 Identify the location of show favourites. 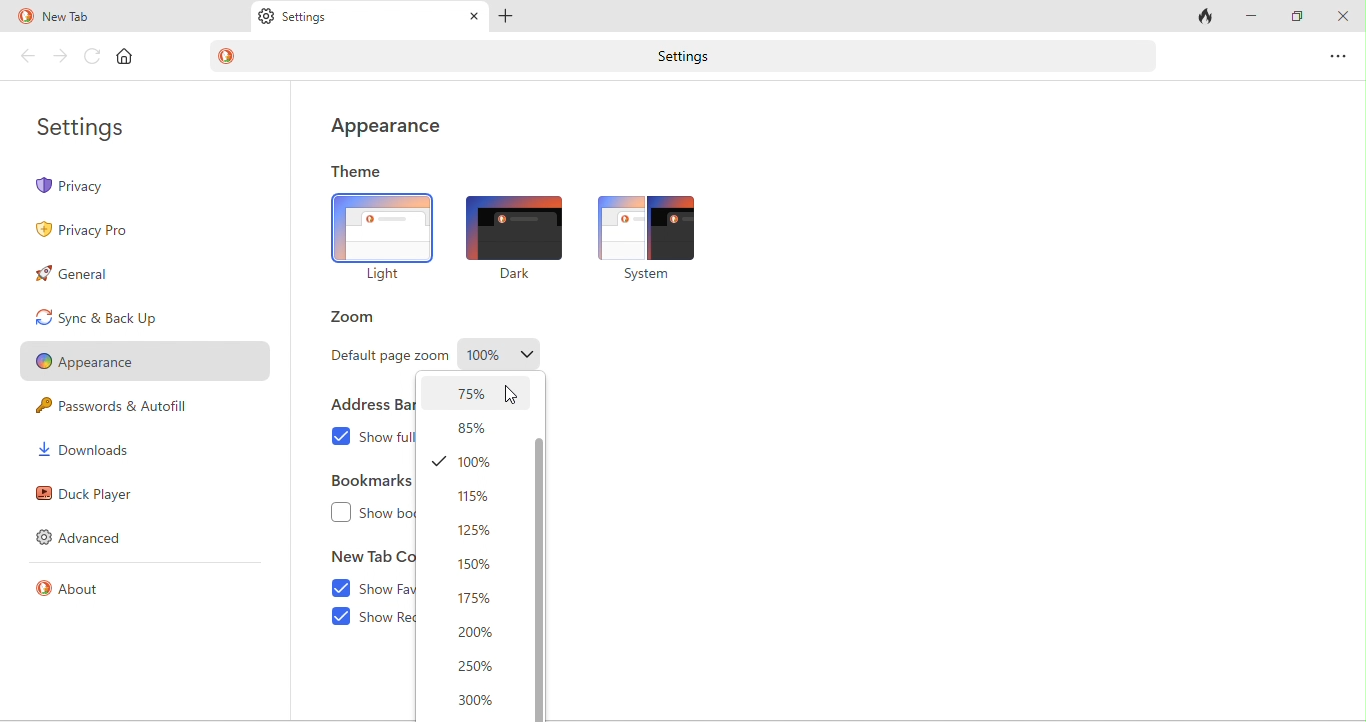
(390, 585).